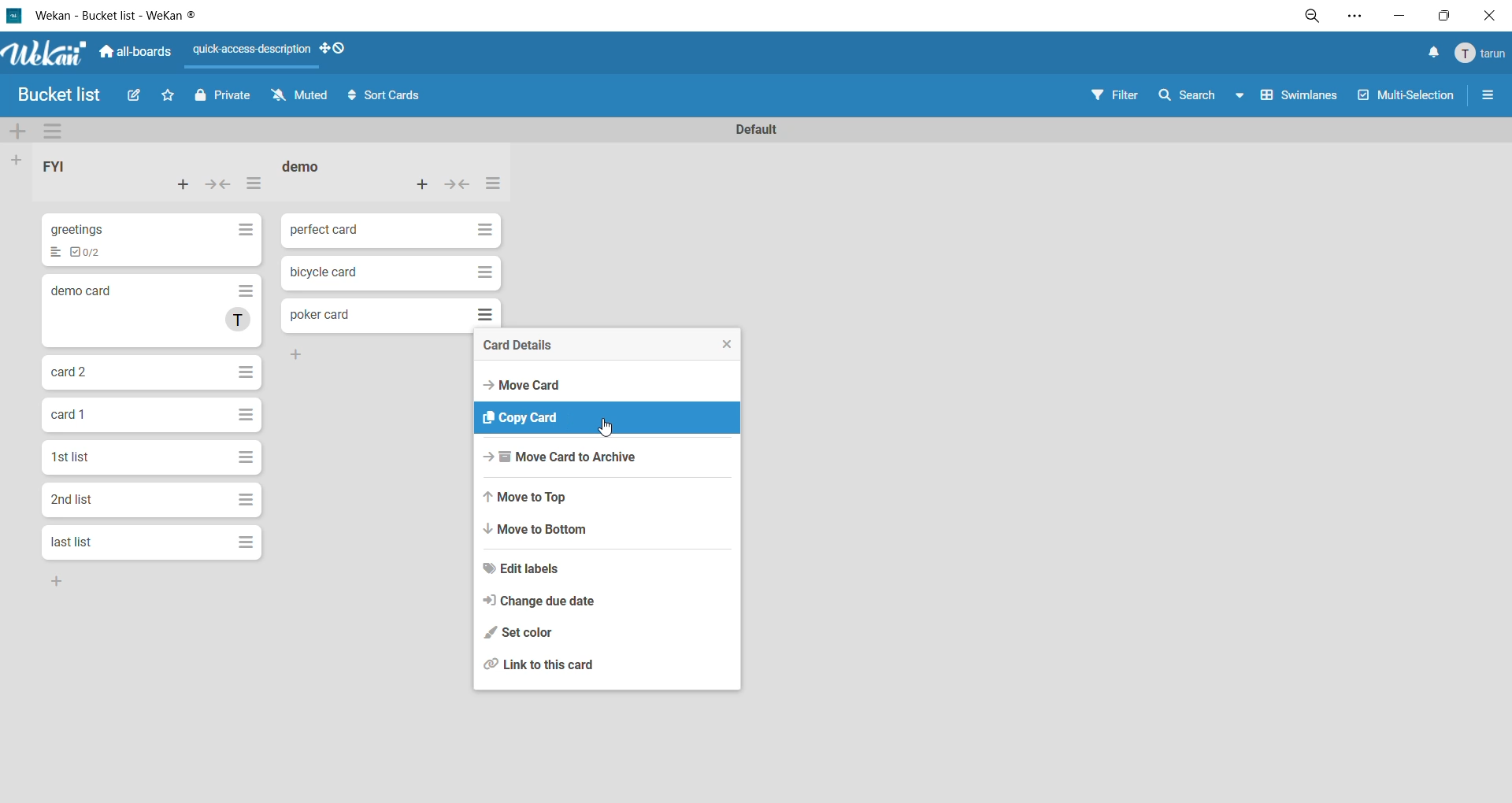 The image size is (1512, 803). I want to click on filter, so click(1119, 94).